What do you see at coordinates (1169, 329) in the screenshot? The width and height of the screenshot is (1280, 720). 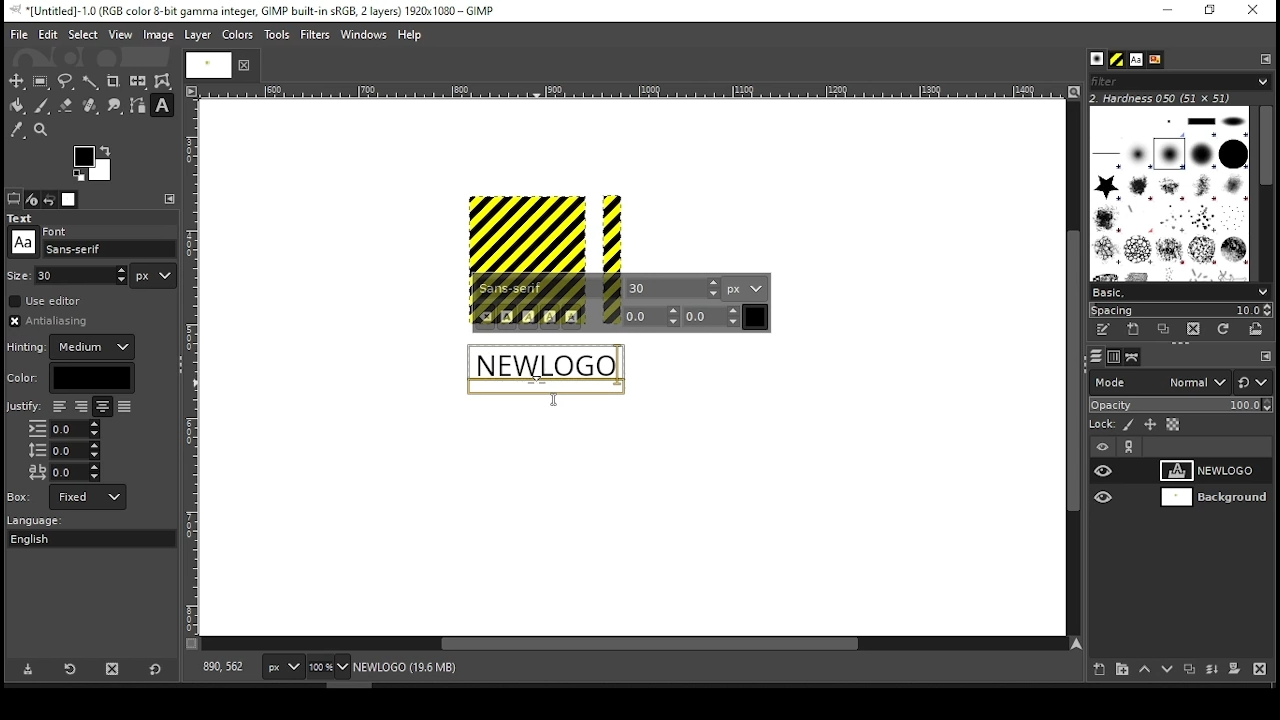 I see `duplicate this brush` at bounding box center [1169, 329].